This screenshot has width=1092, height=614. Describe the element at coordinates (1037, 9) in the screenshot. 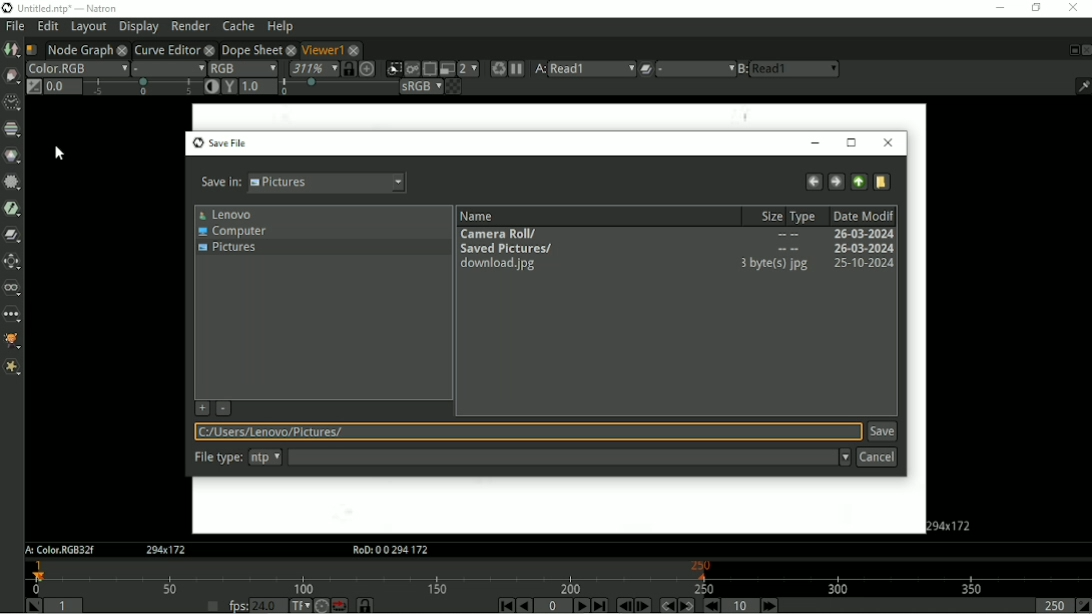

I see `Restore down` at that location.